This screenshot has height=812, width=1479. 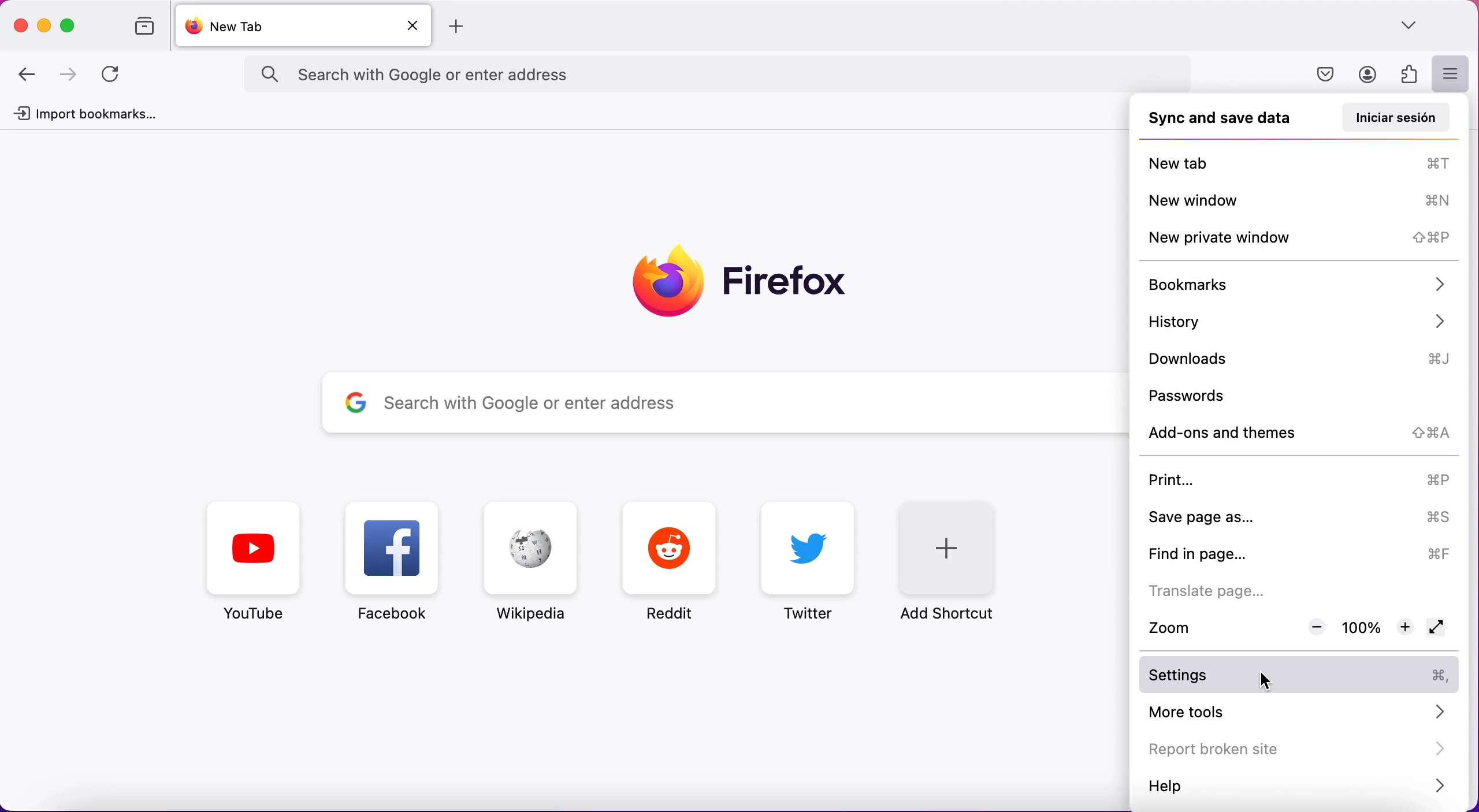 What do you see at coordinates (281, 26) in the screenshot?
I see `new tab` at bounding box center [281, 26].